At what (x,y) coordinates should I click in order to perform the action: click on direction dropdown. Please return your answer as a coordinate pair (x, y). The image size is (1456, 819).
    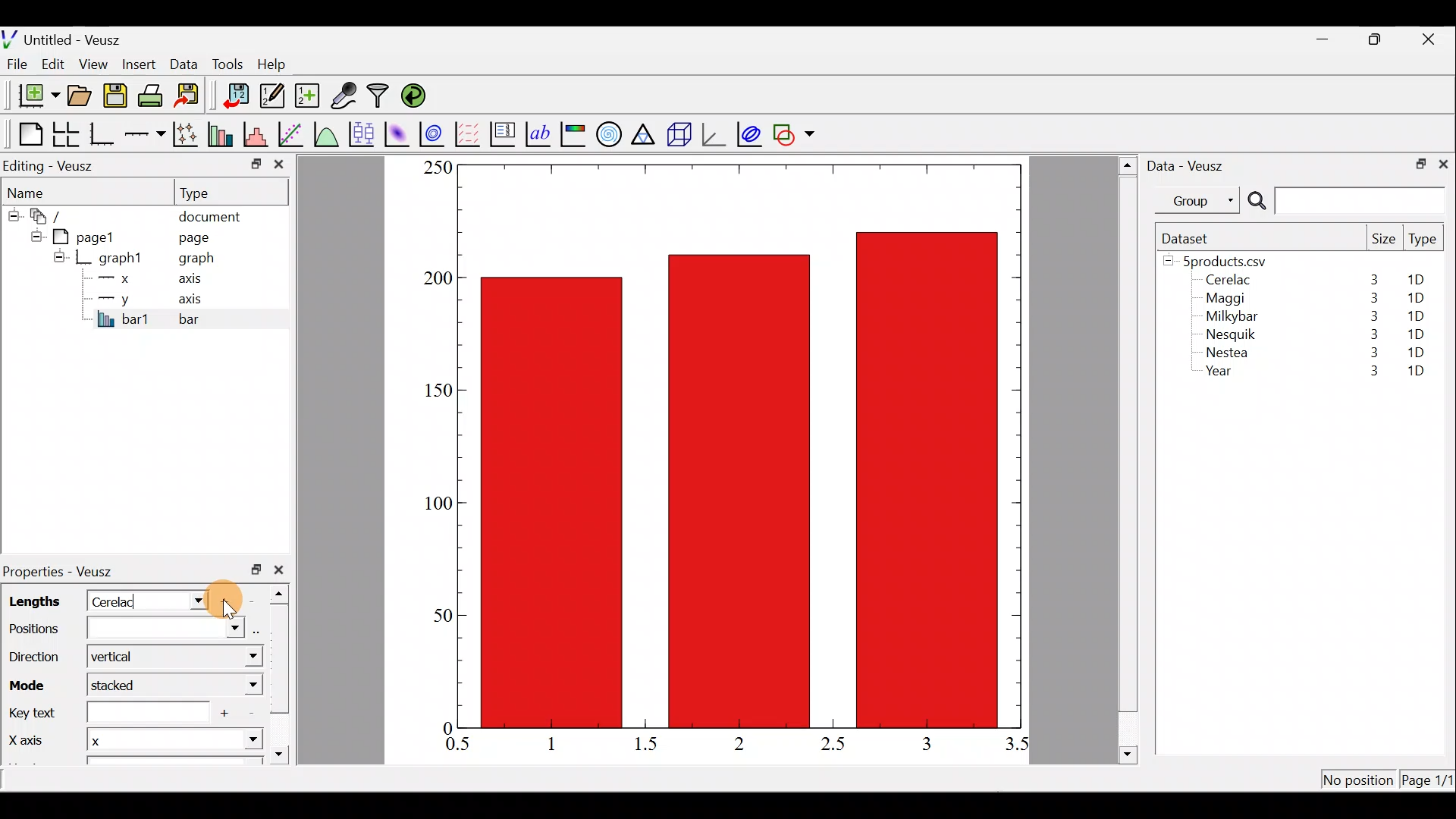
    Looking at the image, I should click on (237, 657).